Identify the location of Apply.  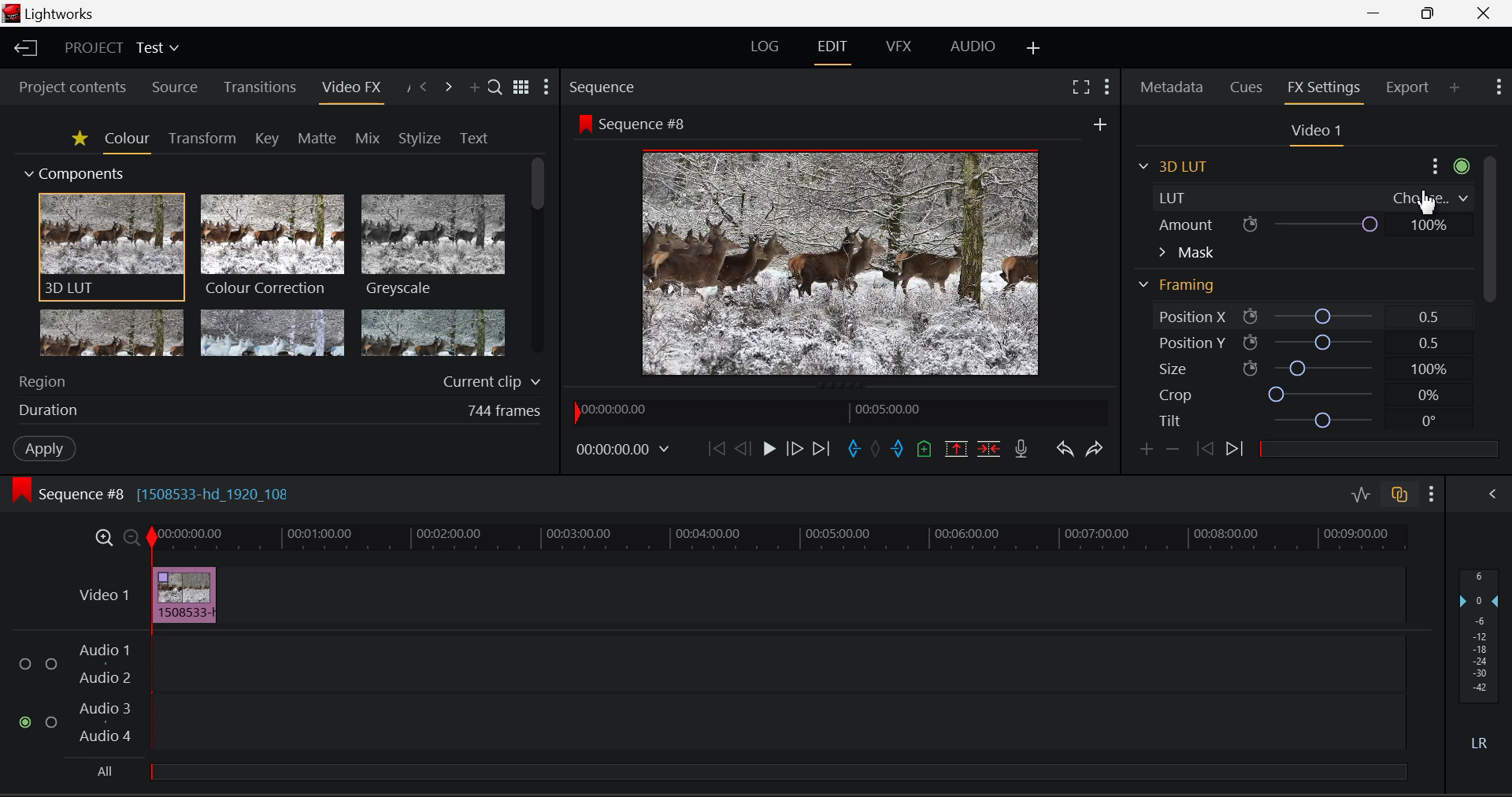
(42, 449).